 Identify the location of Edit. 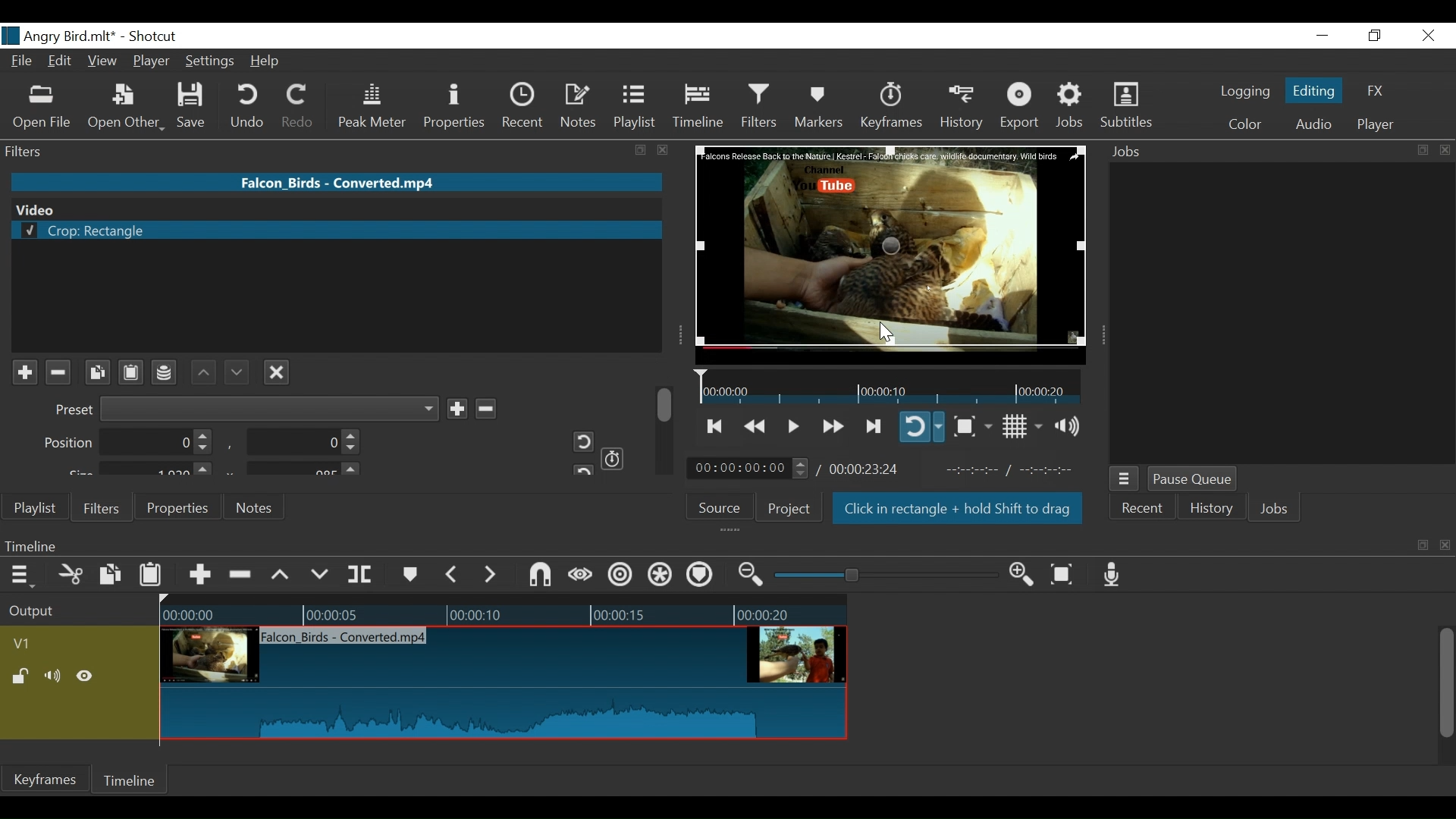
(62, 62).